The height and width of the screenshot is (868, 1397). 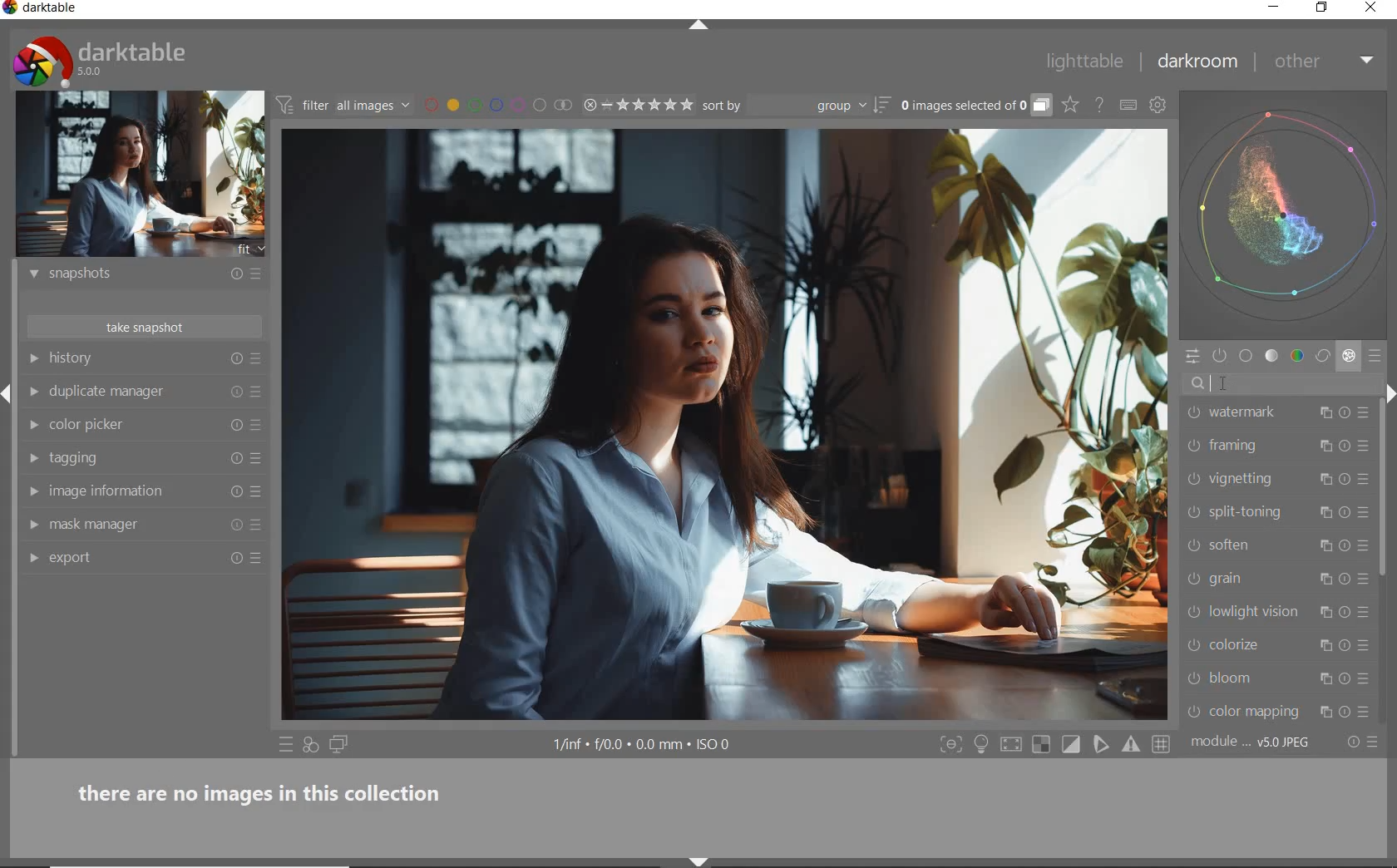 I want to click on range rating of selected image, so click(x=637, y=106).